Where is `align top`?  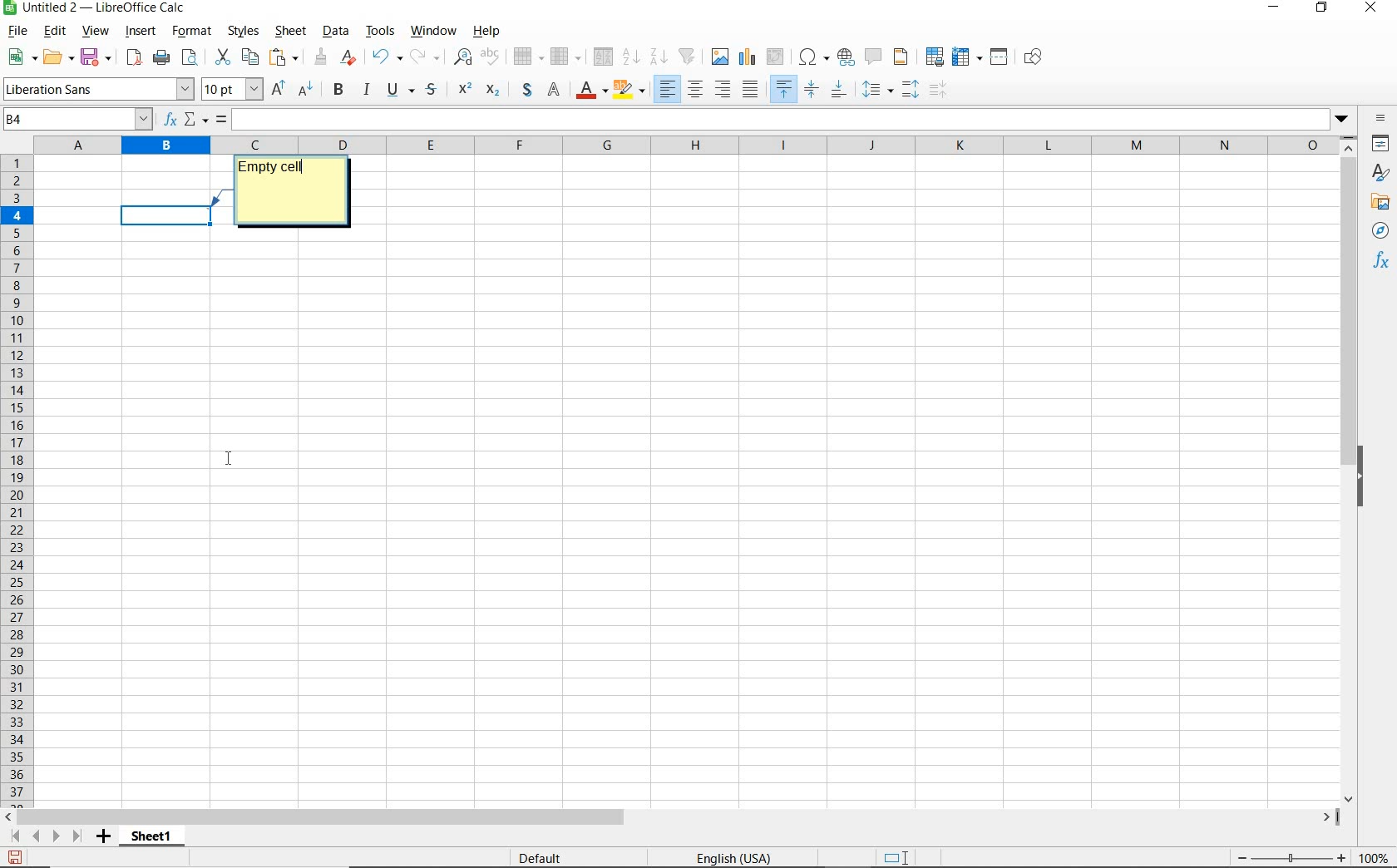 align top is located at coordinates (783, 88).